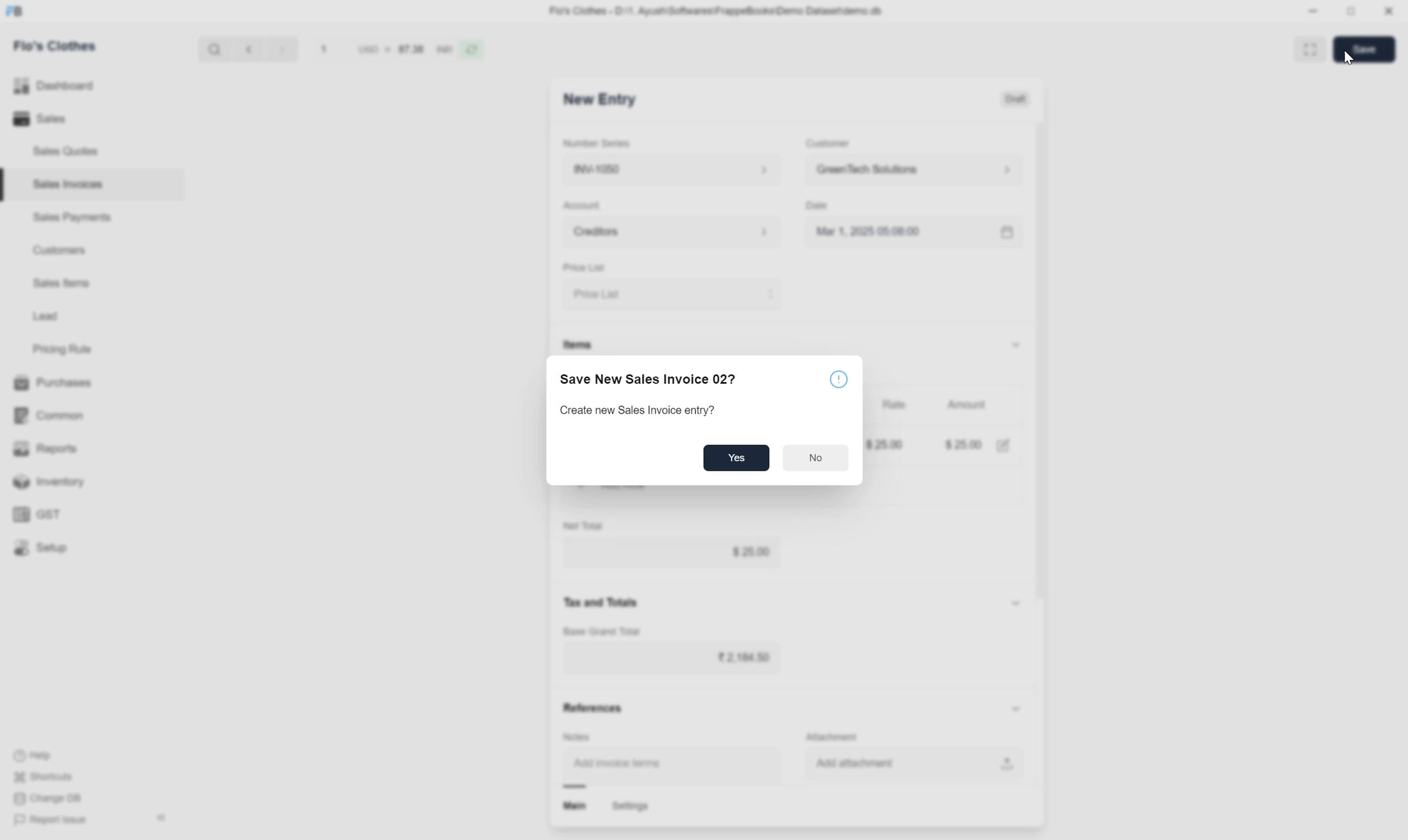 The width and height of the screenshot is (1408, 840). What do you see at coordinates (248, 52) in the screenshot?
I see `go back ` at bounding box center [248, 52].